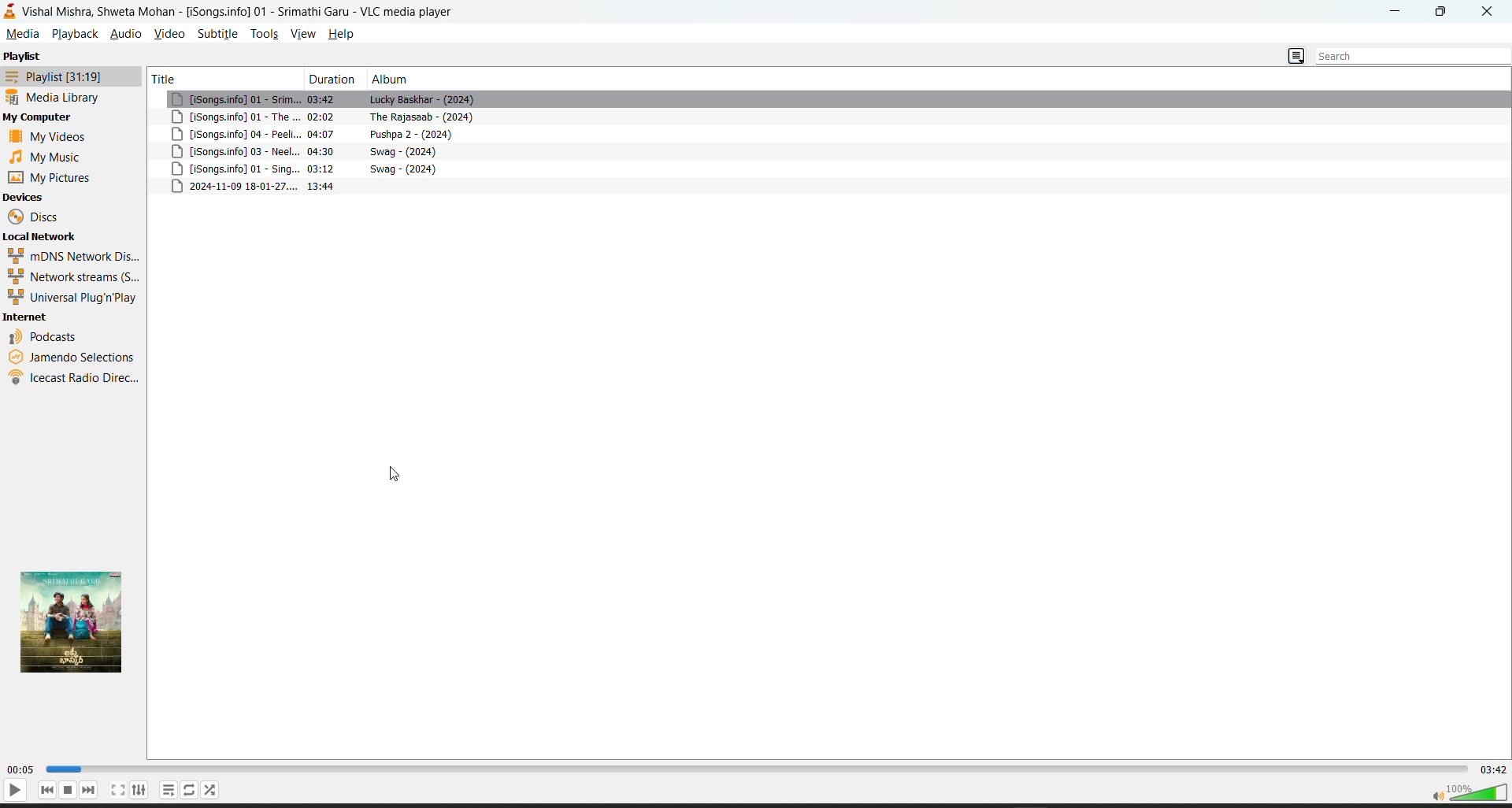 The width and height of the screenshot is (1512, 808). I want to click on 02:02, so click(324, 117).